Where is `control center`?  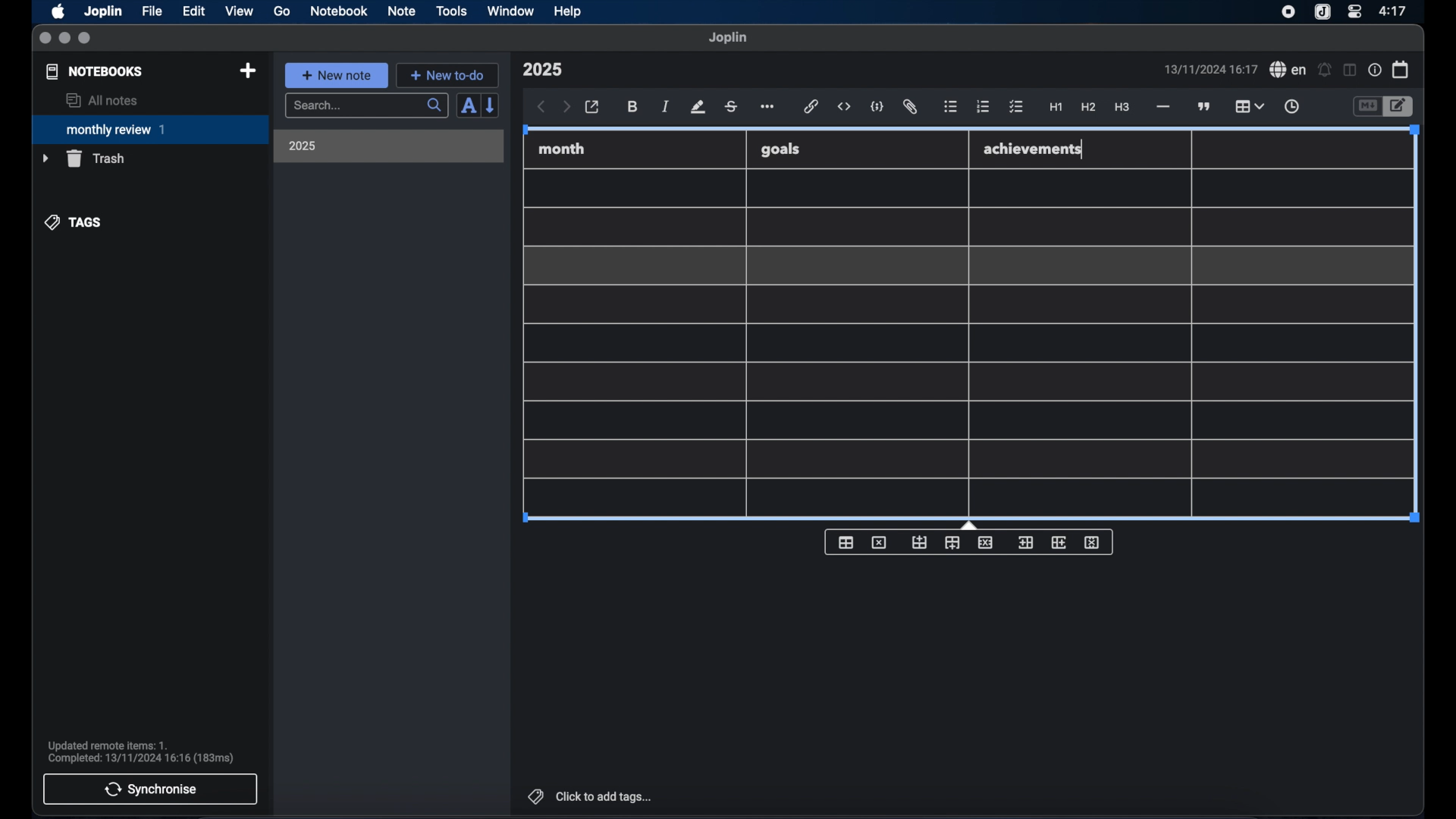 control center is located at coordinates (1354, 11).